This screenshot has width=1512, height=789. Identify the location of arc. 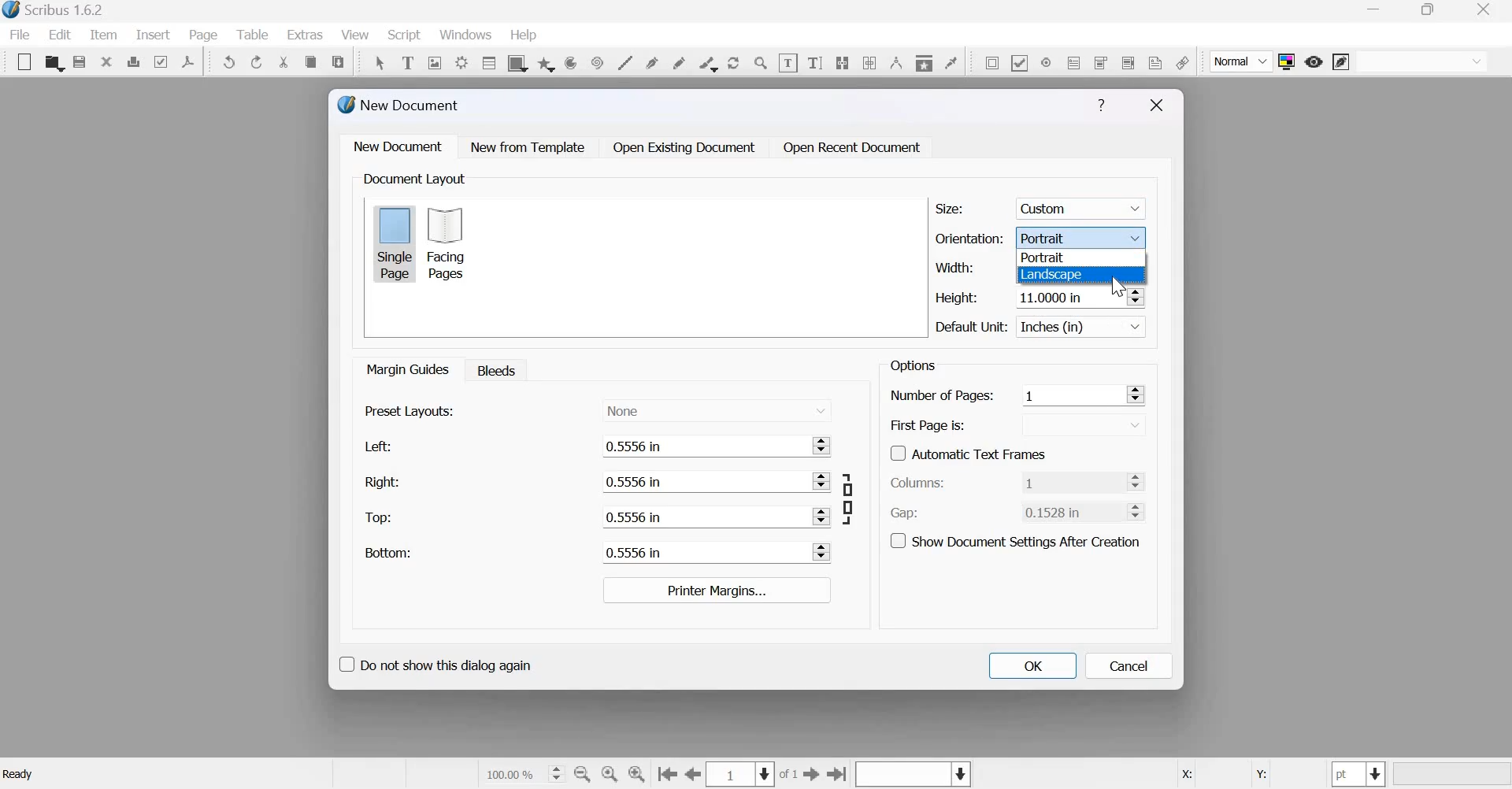
(570, 62).